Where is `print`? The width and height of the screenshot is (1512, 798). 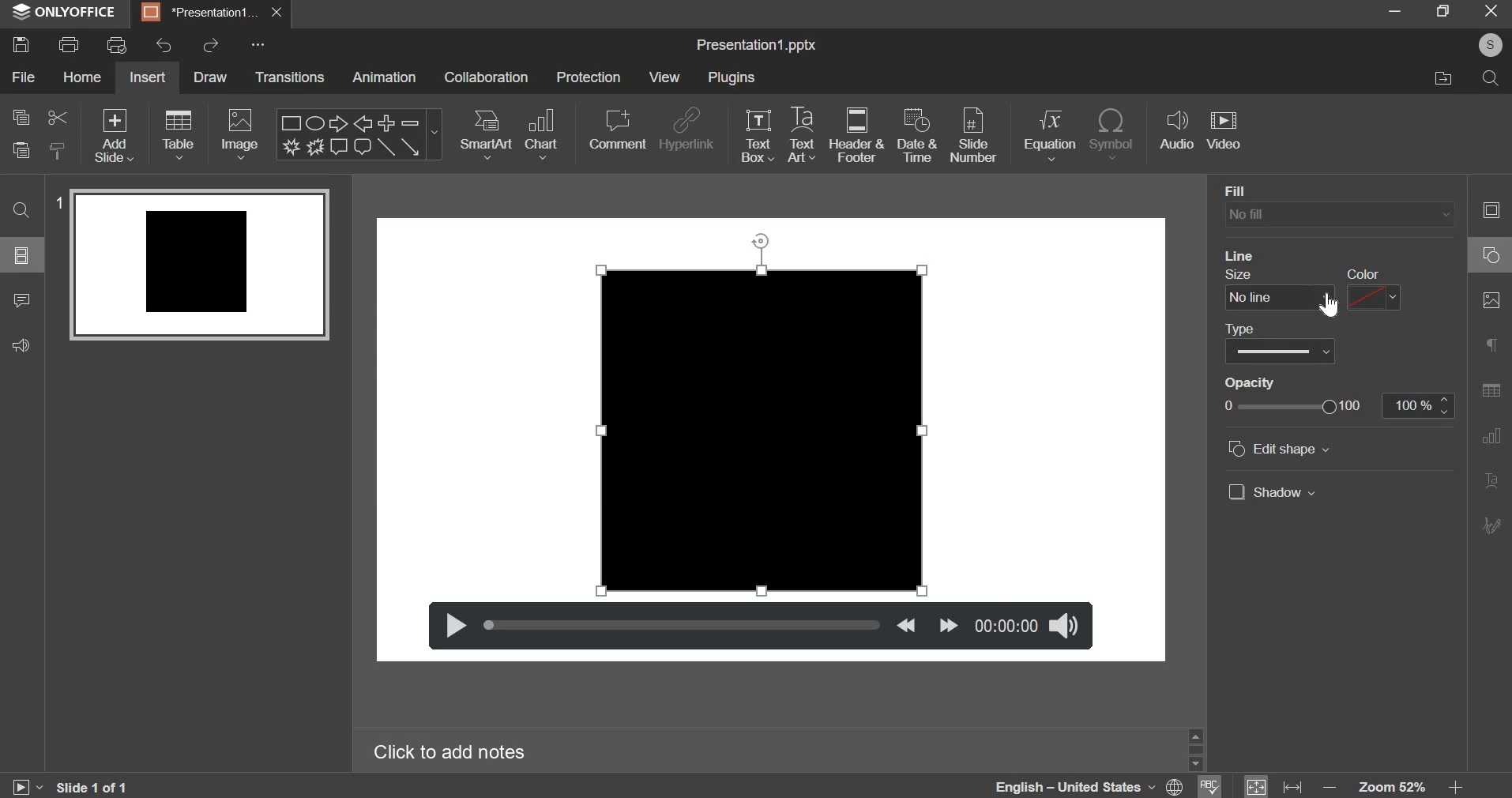
print is located at coordinates (66, 44).